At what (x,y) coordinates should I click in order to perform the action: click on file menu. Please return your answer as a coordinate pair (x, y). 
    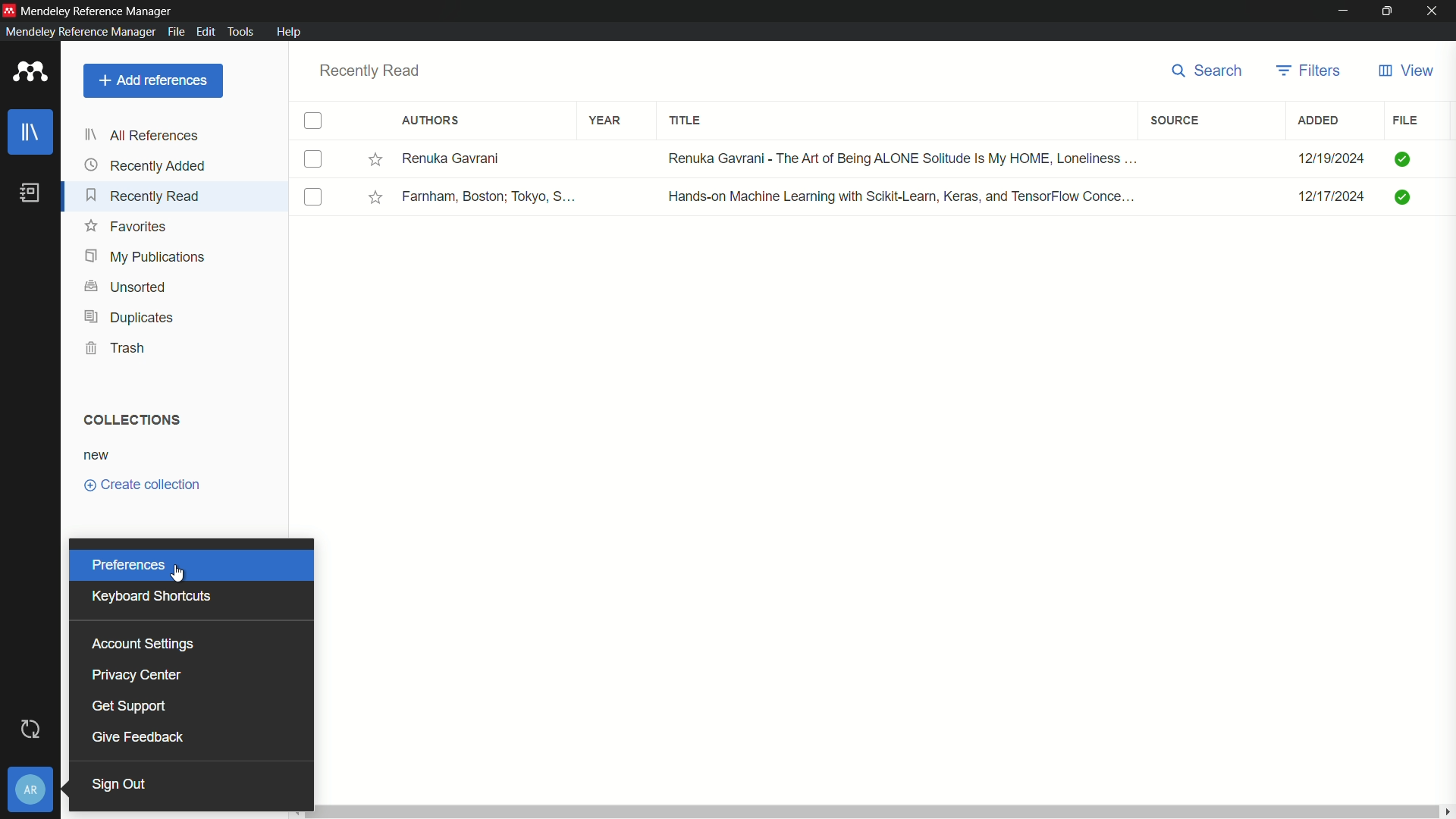
    Looking at the image, I should click on (177, 33).